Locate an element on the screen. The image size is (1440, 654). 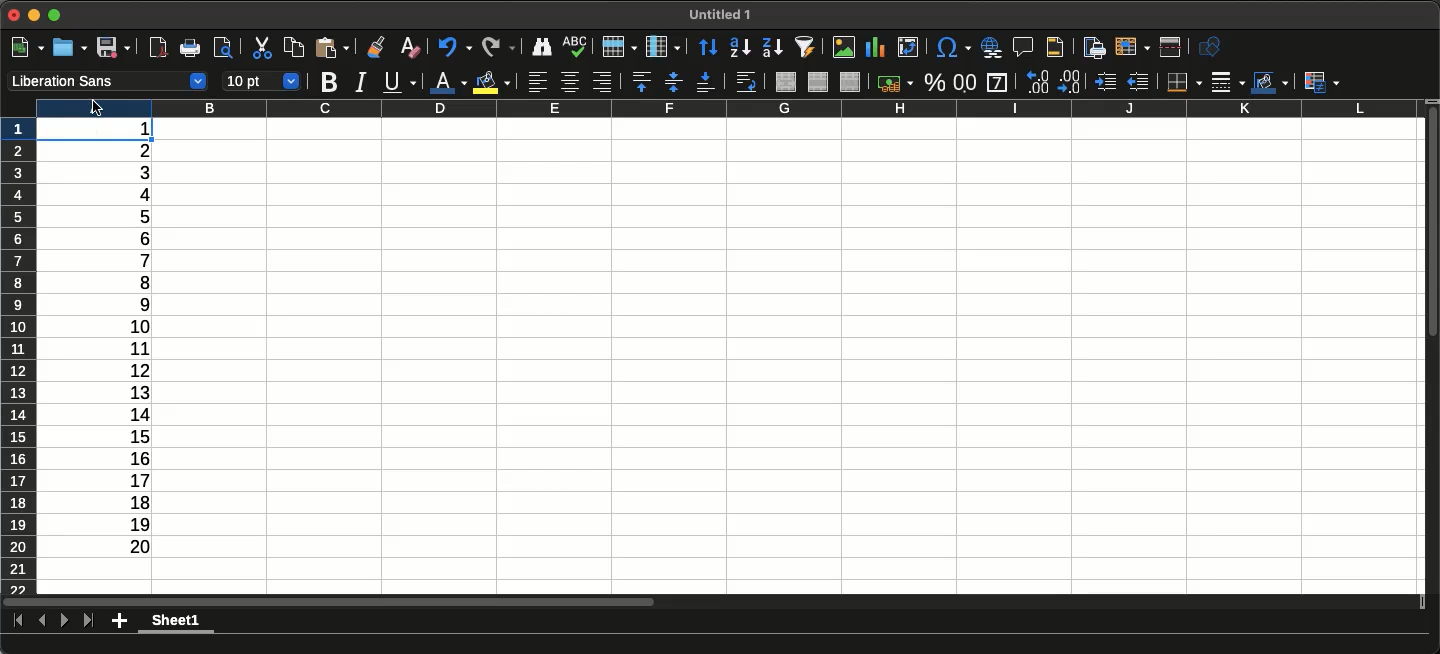
Column is located at coordinates (661, 46).